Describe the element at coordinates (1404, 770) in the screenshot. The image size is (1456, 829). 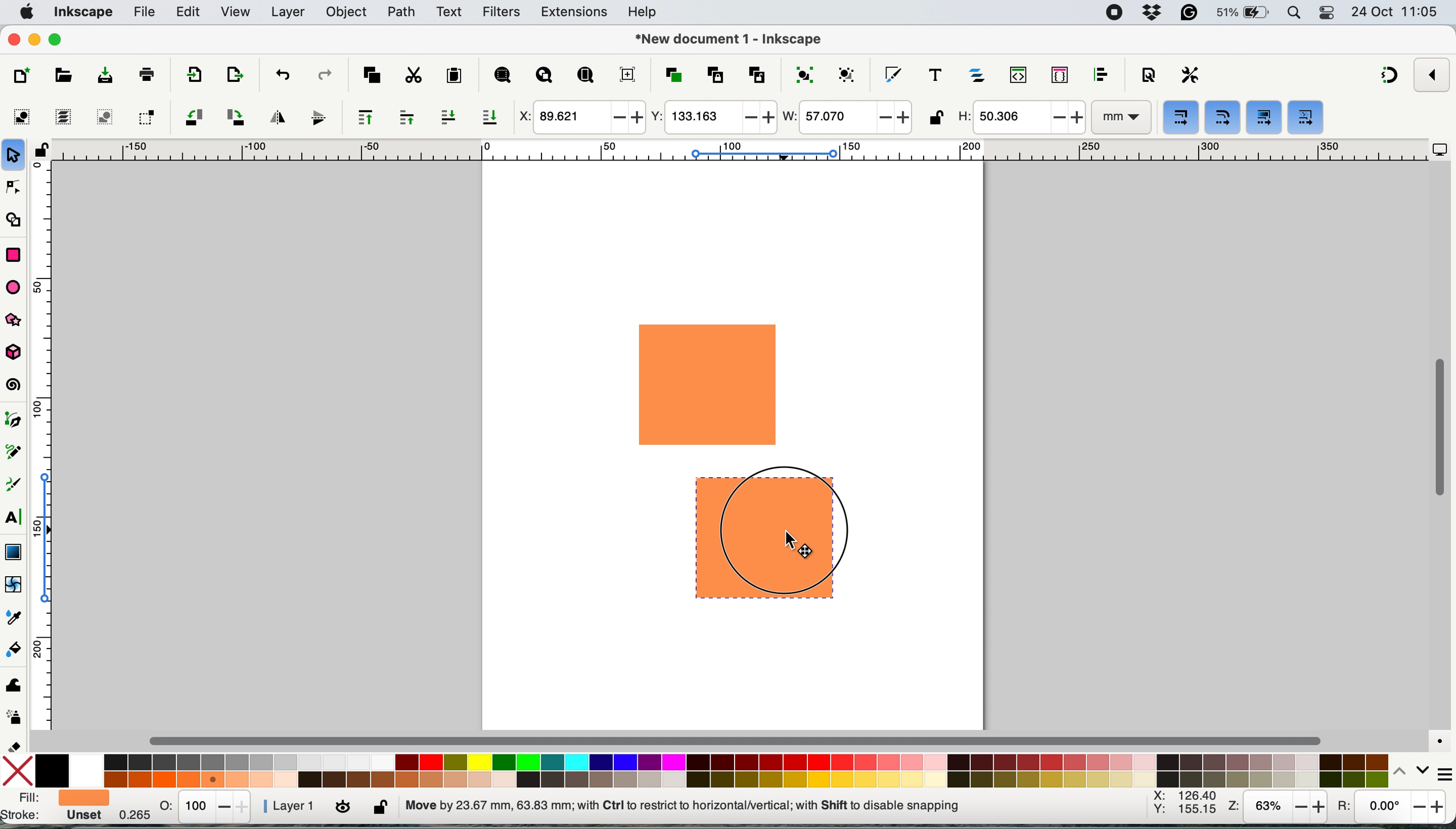
I see `switch between colors` at that location.